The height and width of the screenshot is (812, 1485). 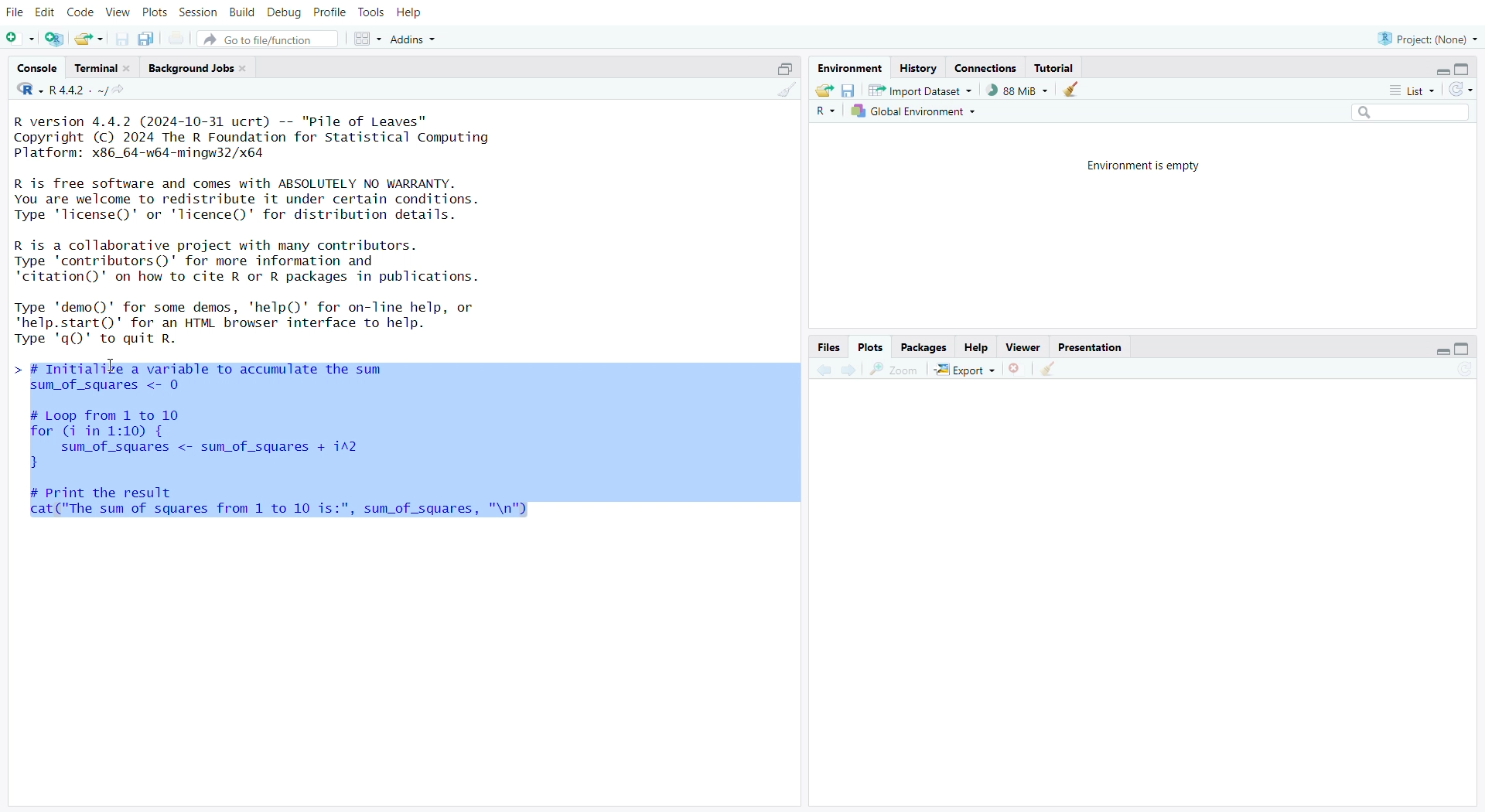 I want to click on help, so click(x=976, y=347).